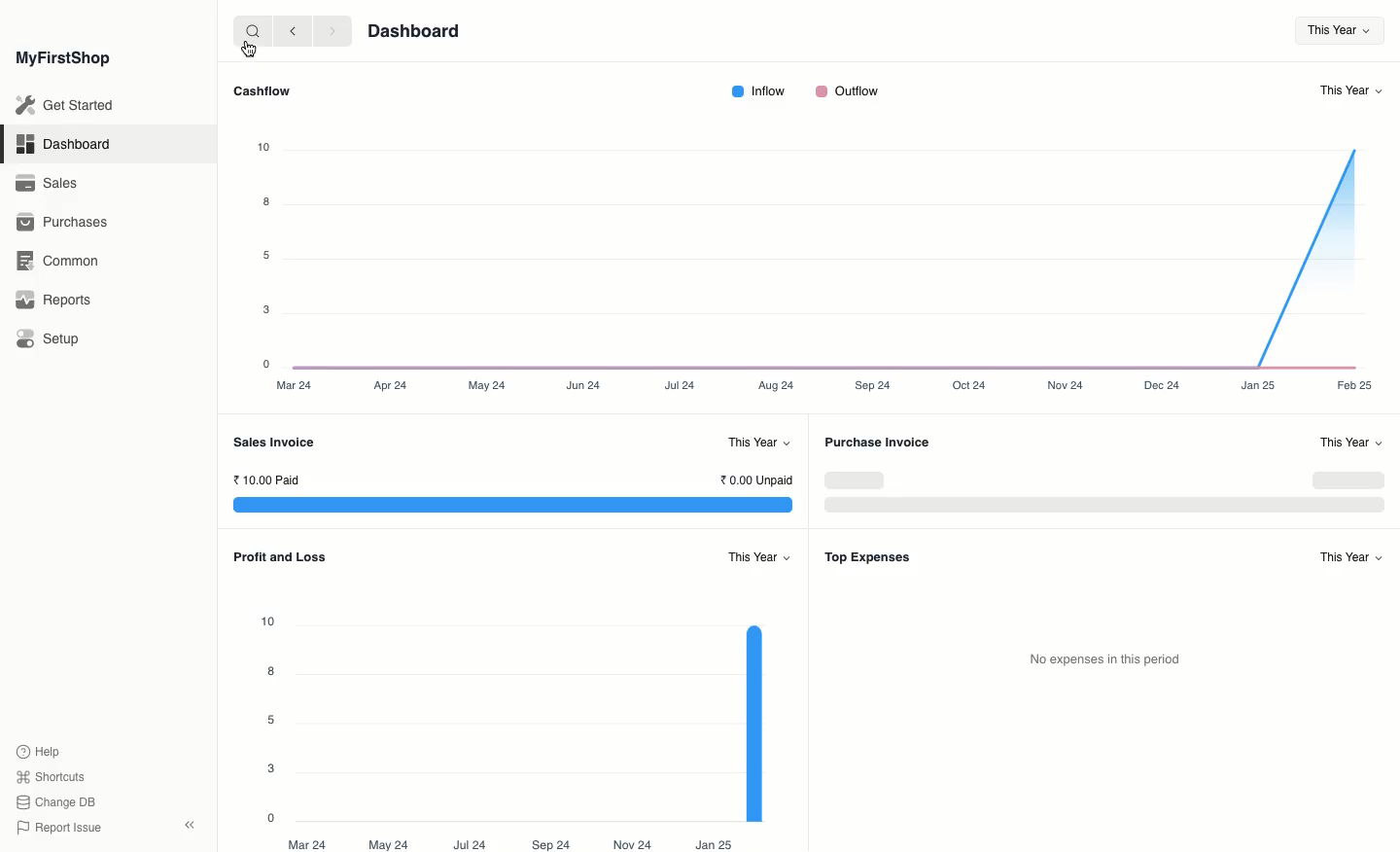  Describe the element at coordinates (36, 750) in the screenshot. I see `Help` at that location.